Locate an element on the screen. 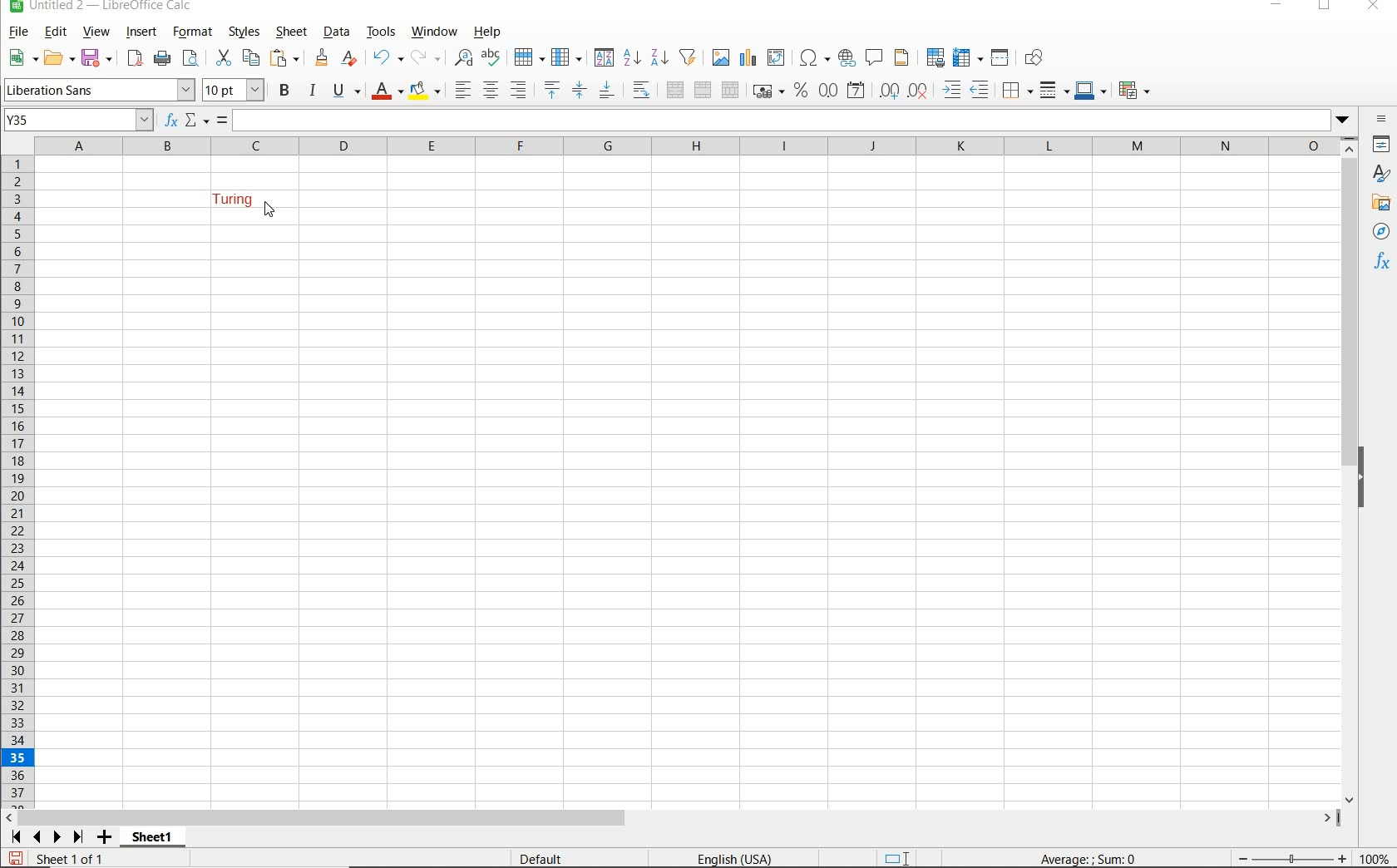 This screenshot has width=1397, height=868. INSERT SPECIAL CHARACTERS is located at coordinates (813, 59).